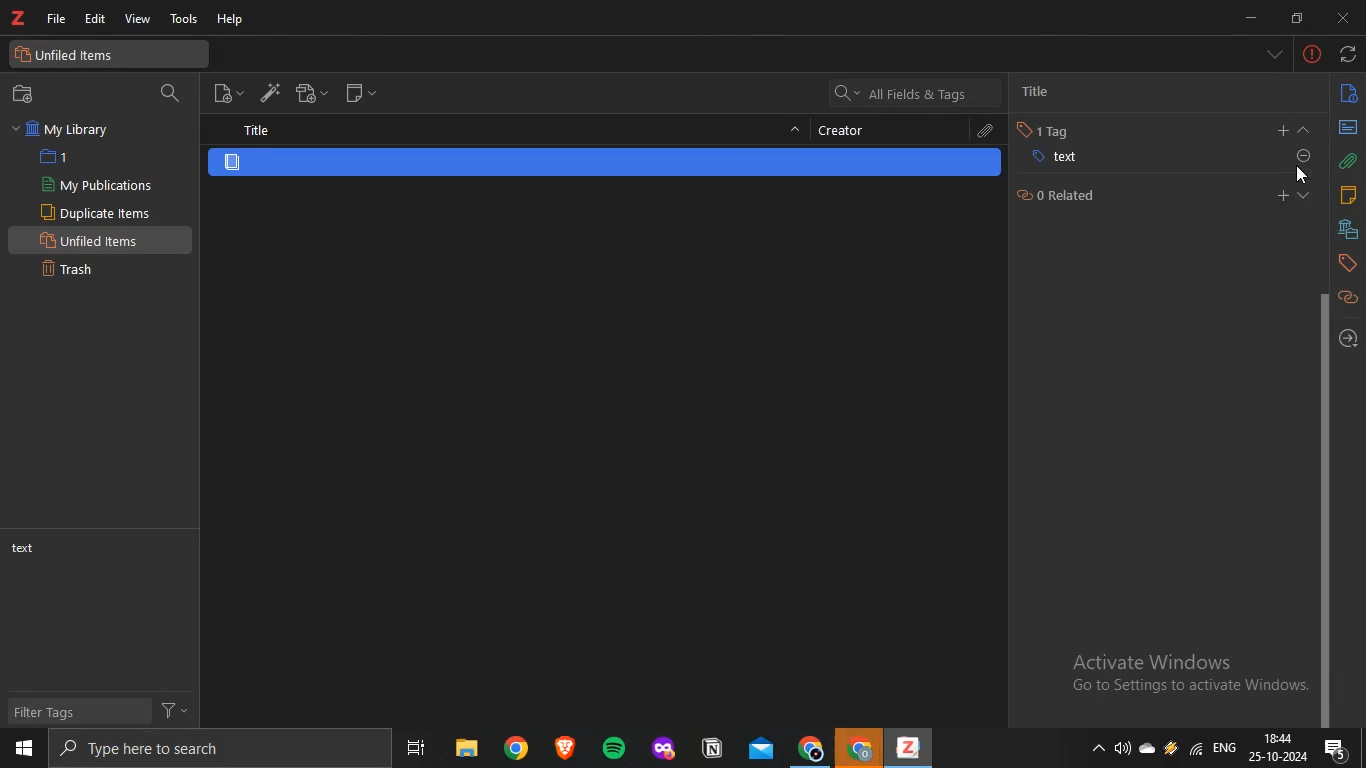 This screenshot has height=768, width=1366. What do you see at coordinates (414, 748) in the screenshot?
I see `task view` at bounding box center [414, 748].